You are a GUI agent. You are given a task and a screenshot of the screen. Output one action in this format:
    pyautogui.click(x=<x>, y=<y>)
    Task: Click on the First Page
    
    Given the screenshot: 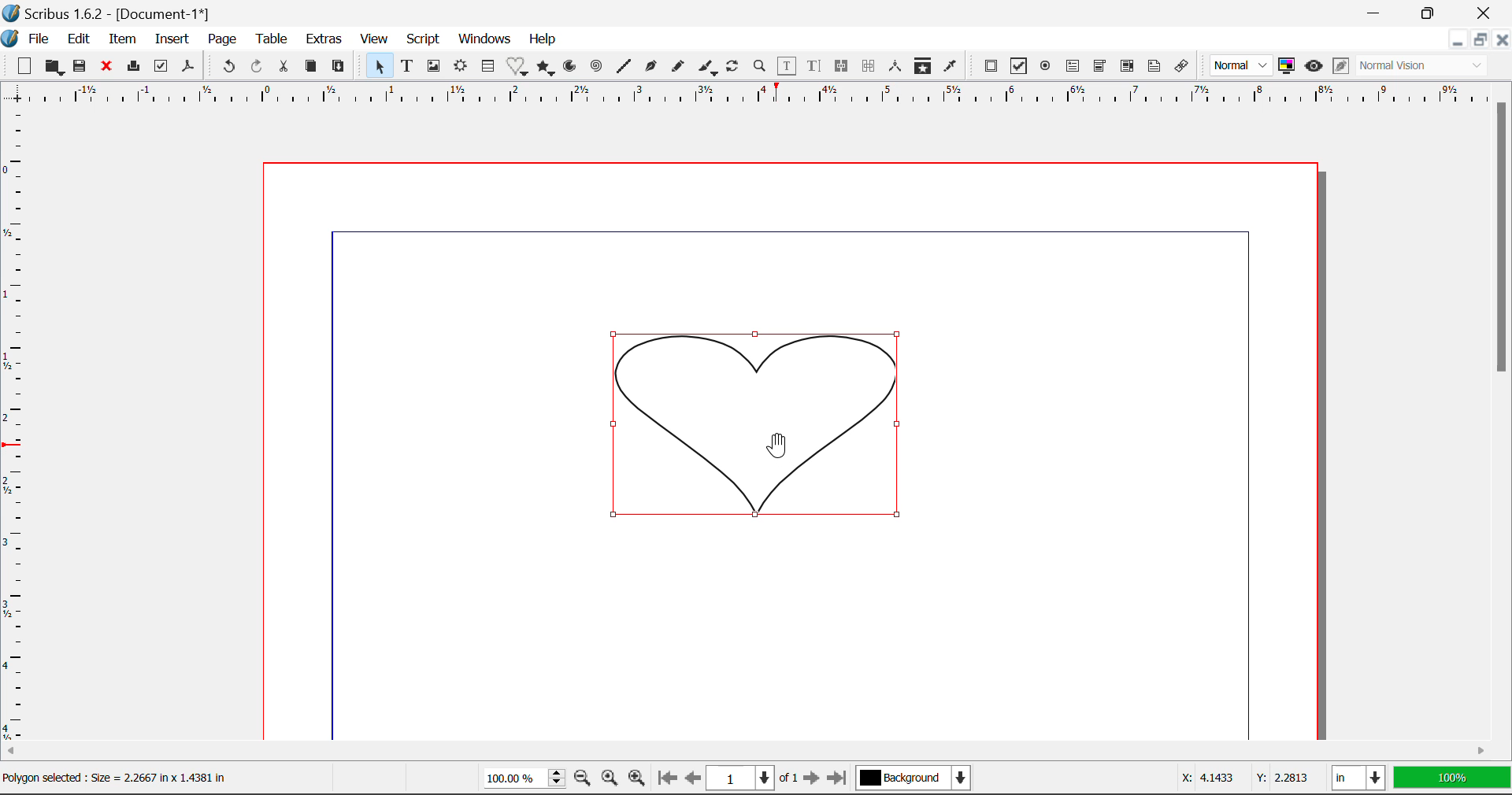 What is the action you would take?
    pyautogui.click(x=667, y=778)
    